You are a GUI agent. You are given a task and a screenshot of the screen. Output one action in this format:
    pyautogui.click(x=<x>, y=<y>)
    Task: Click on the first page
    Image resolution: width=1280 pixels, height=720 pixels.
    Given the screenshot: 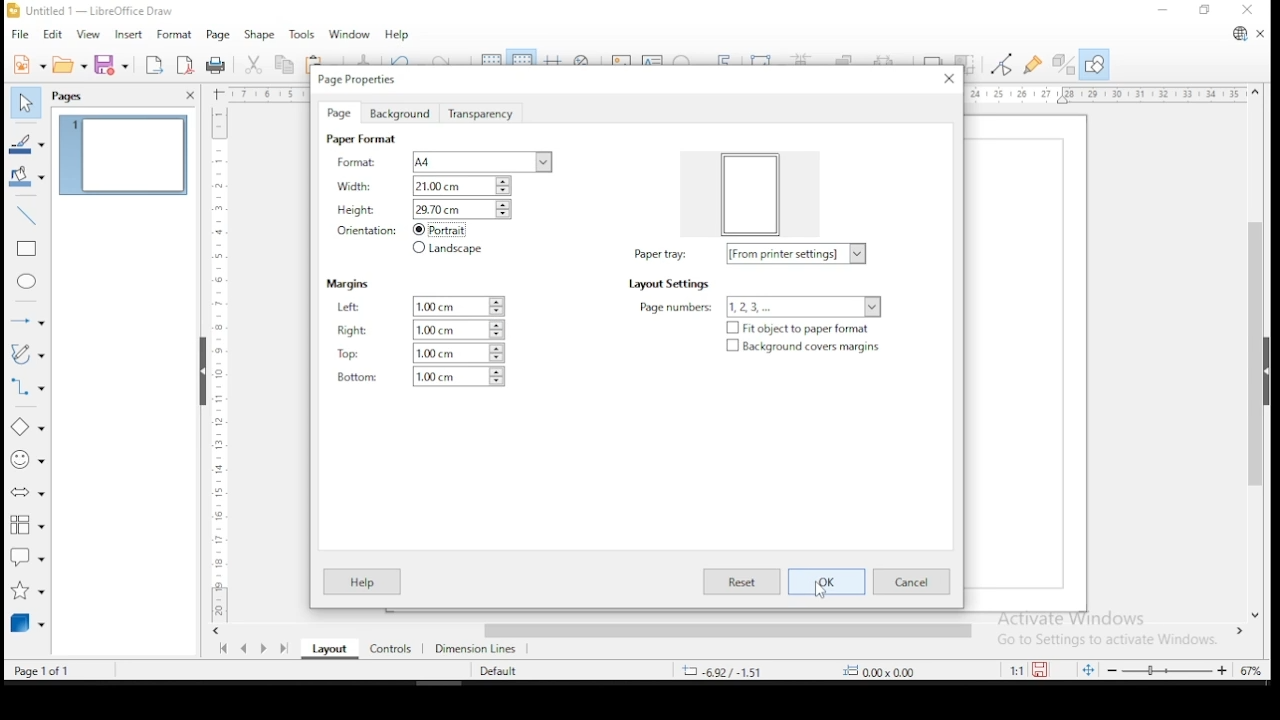 What is the action you would take?
    pyautogui.click(x=223, y=649)
    